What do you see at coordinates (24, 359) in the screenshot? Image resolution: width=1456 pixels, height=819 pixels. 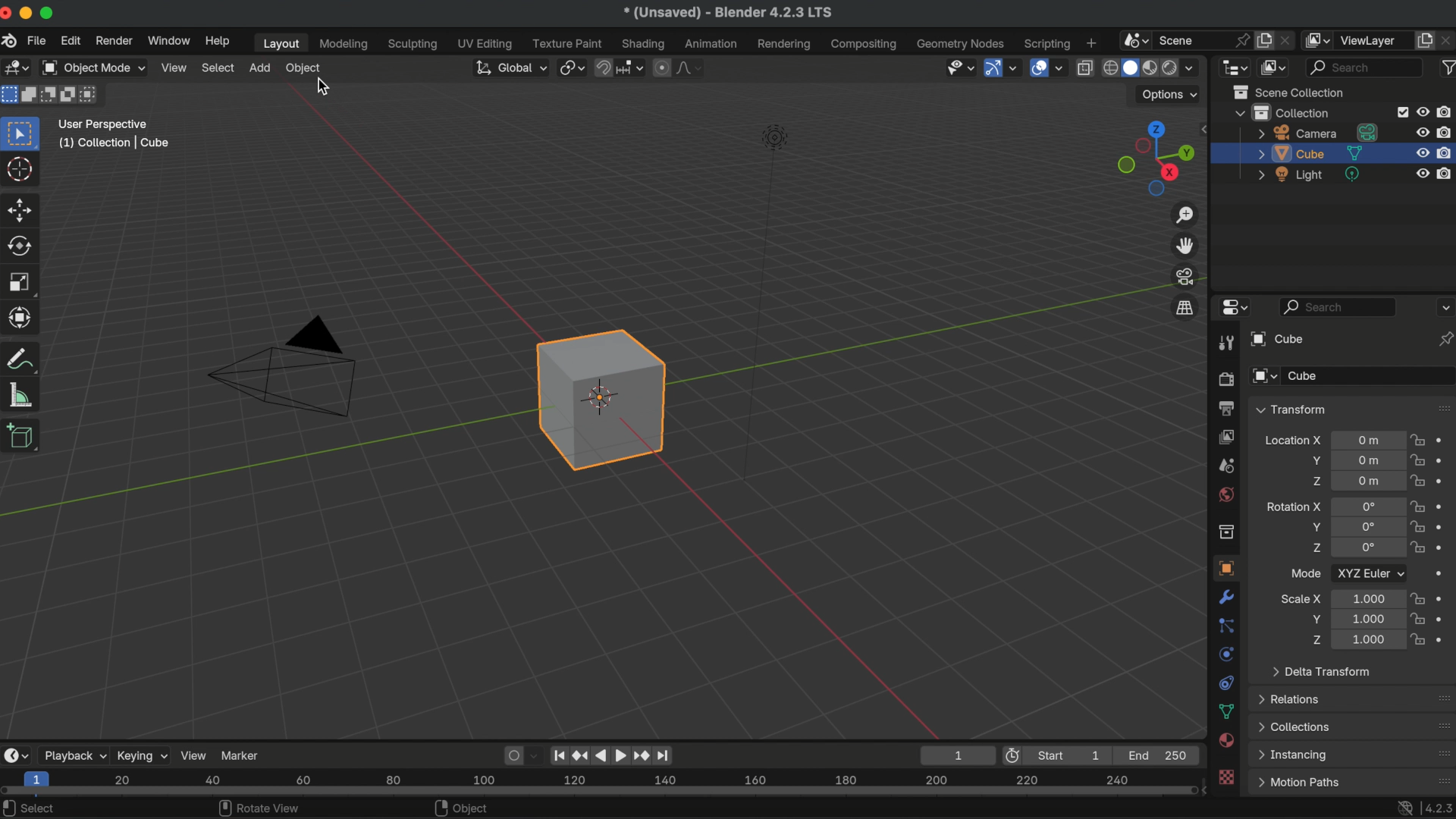 I see `transform` at bounding box center [24, 359].